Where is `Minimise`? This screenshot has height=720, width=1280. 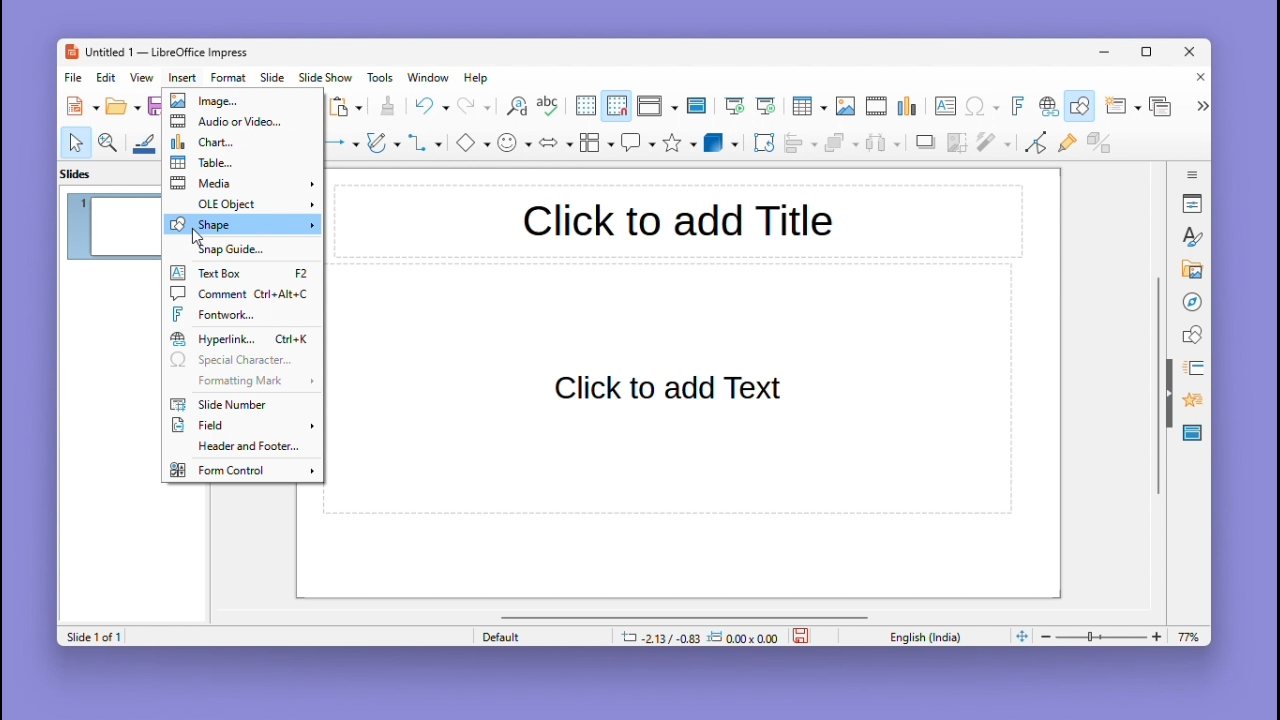 Minimise is located at coordinates (1107, 51).